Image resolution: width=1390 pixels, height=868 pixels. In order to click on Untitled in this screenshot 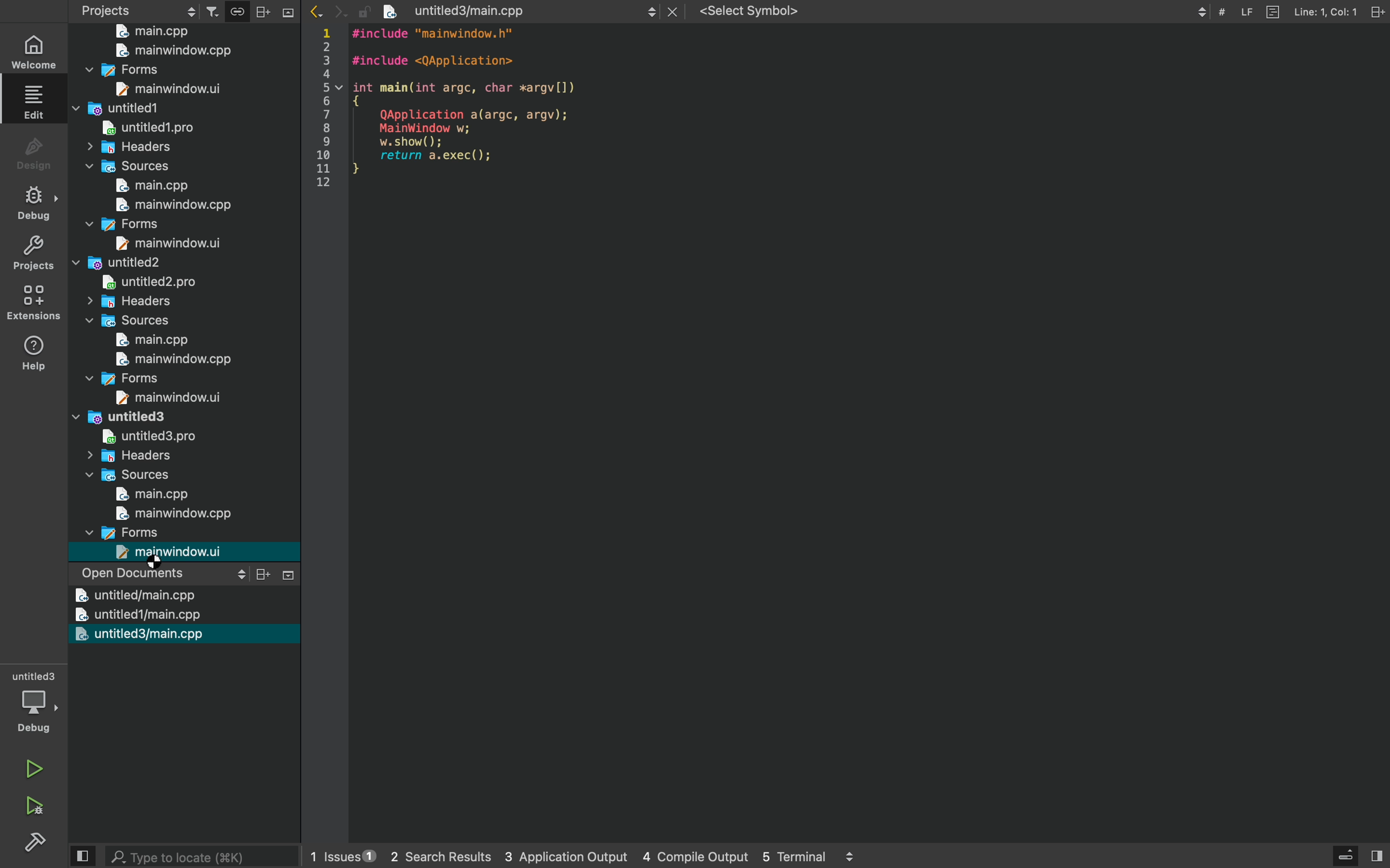, I will do `click(134, 438)`.